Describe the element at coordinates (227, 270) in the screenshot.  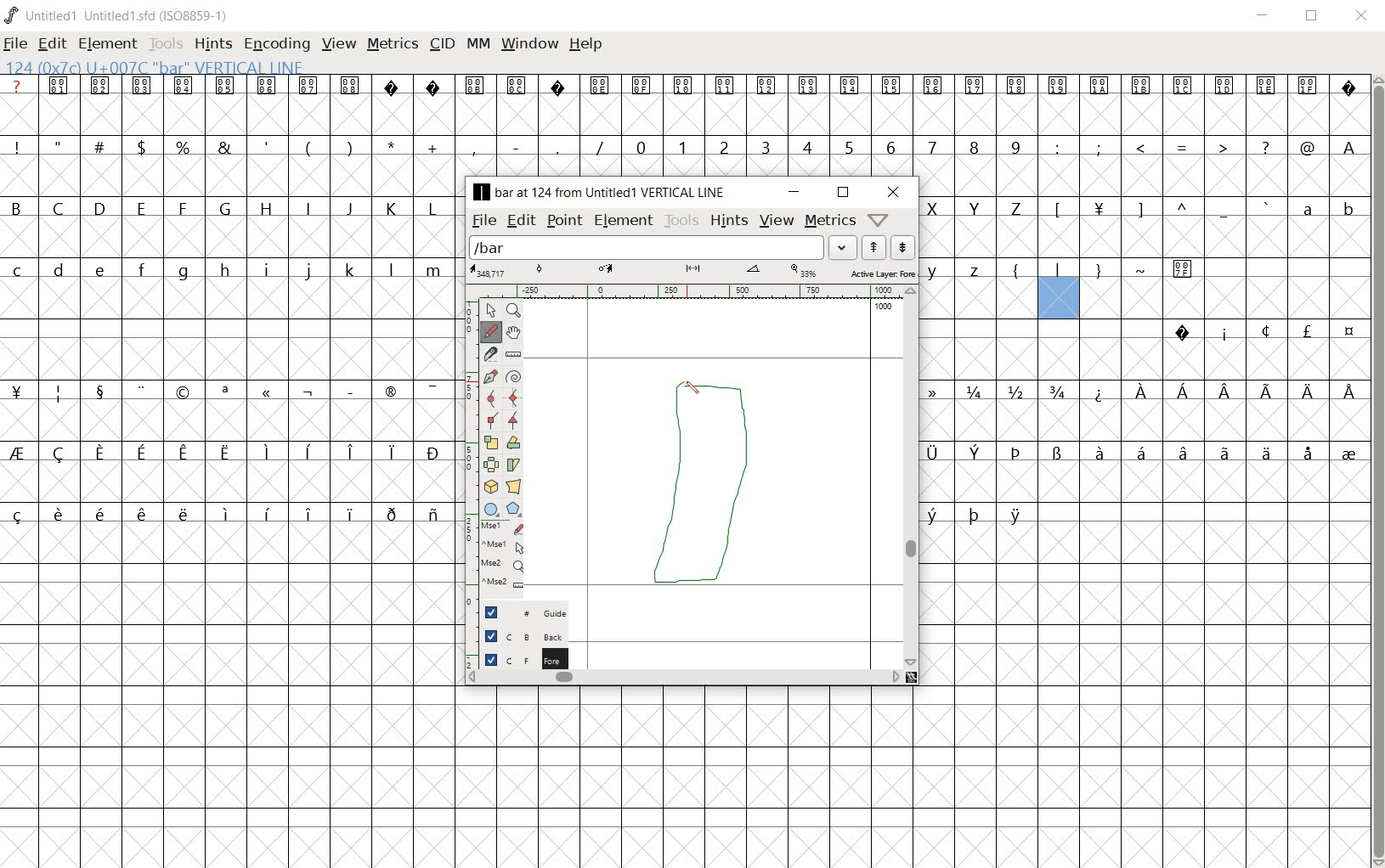
I see `letters and symbols` at that location.